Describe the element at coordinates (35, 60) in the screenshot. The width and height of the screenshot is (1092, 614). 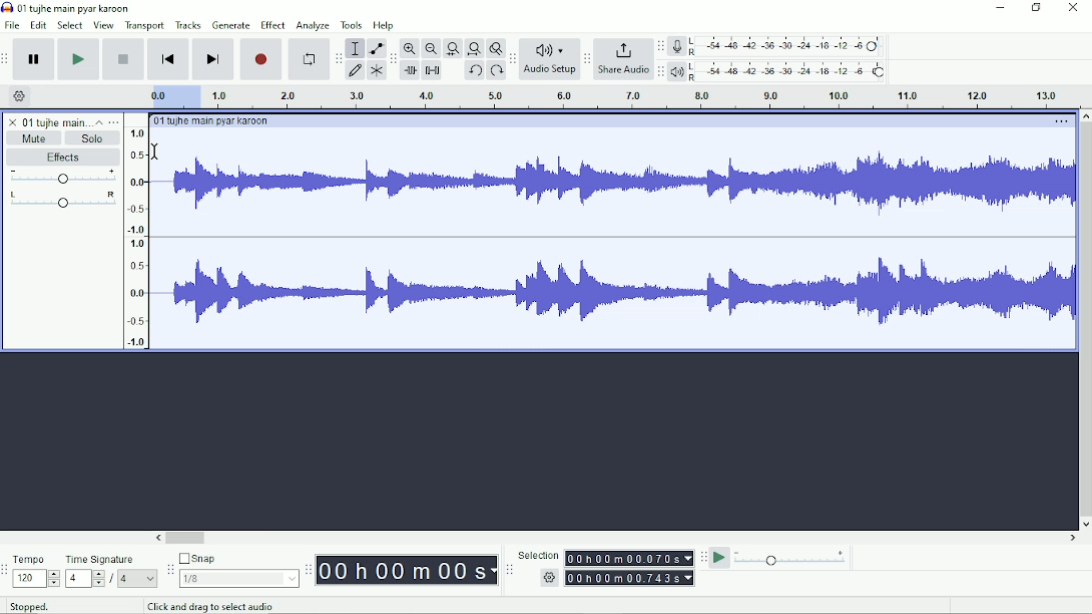
I see `Pause` at that location.